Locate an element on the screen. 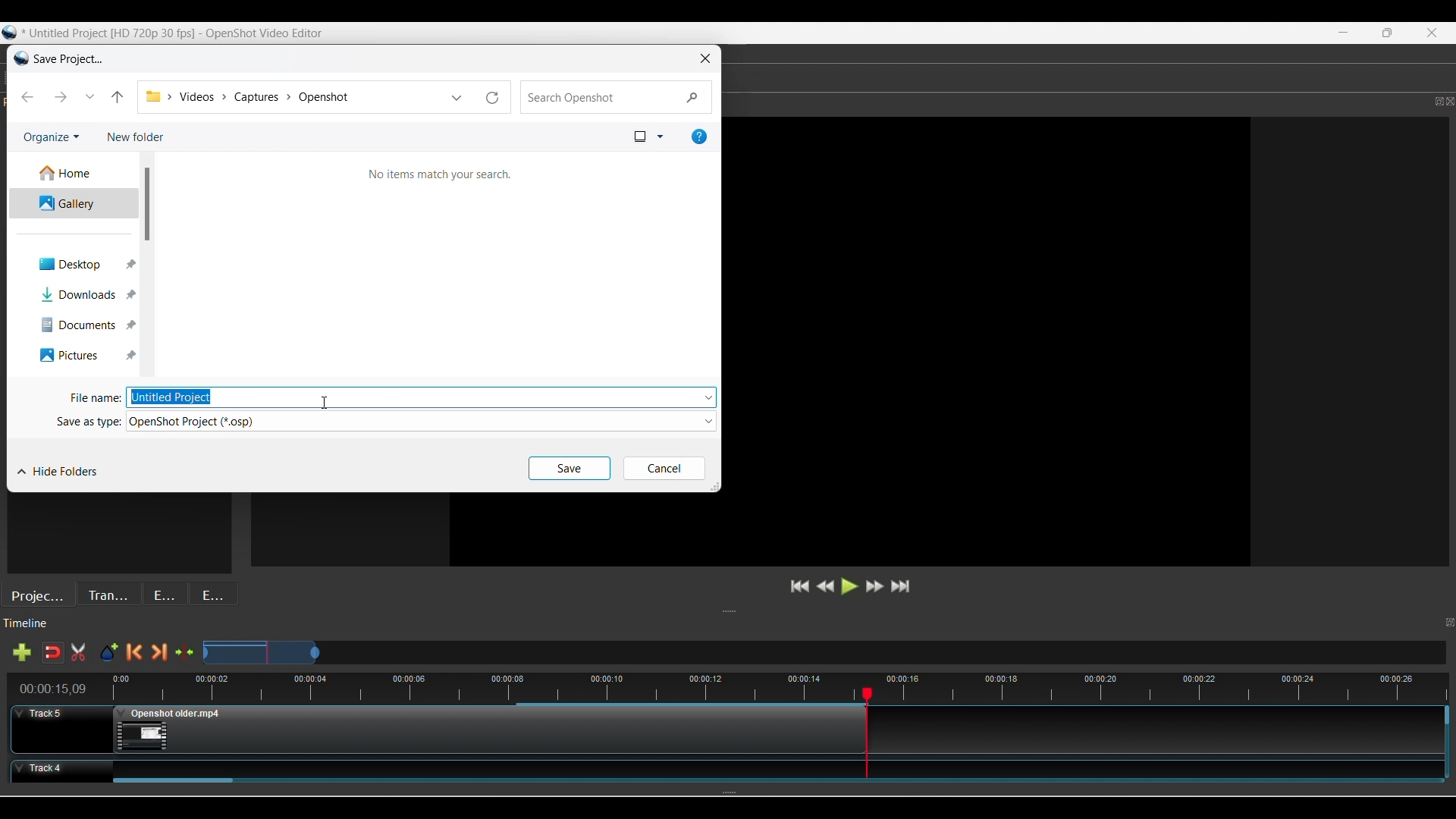 Image resolution: width=1456 pixels, height=819 pixels. Close window is located at coordinates (705, 58).